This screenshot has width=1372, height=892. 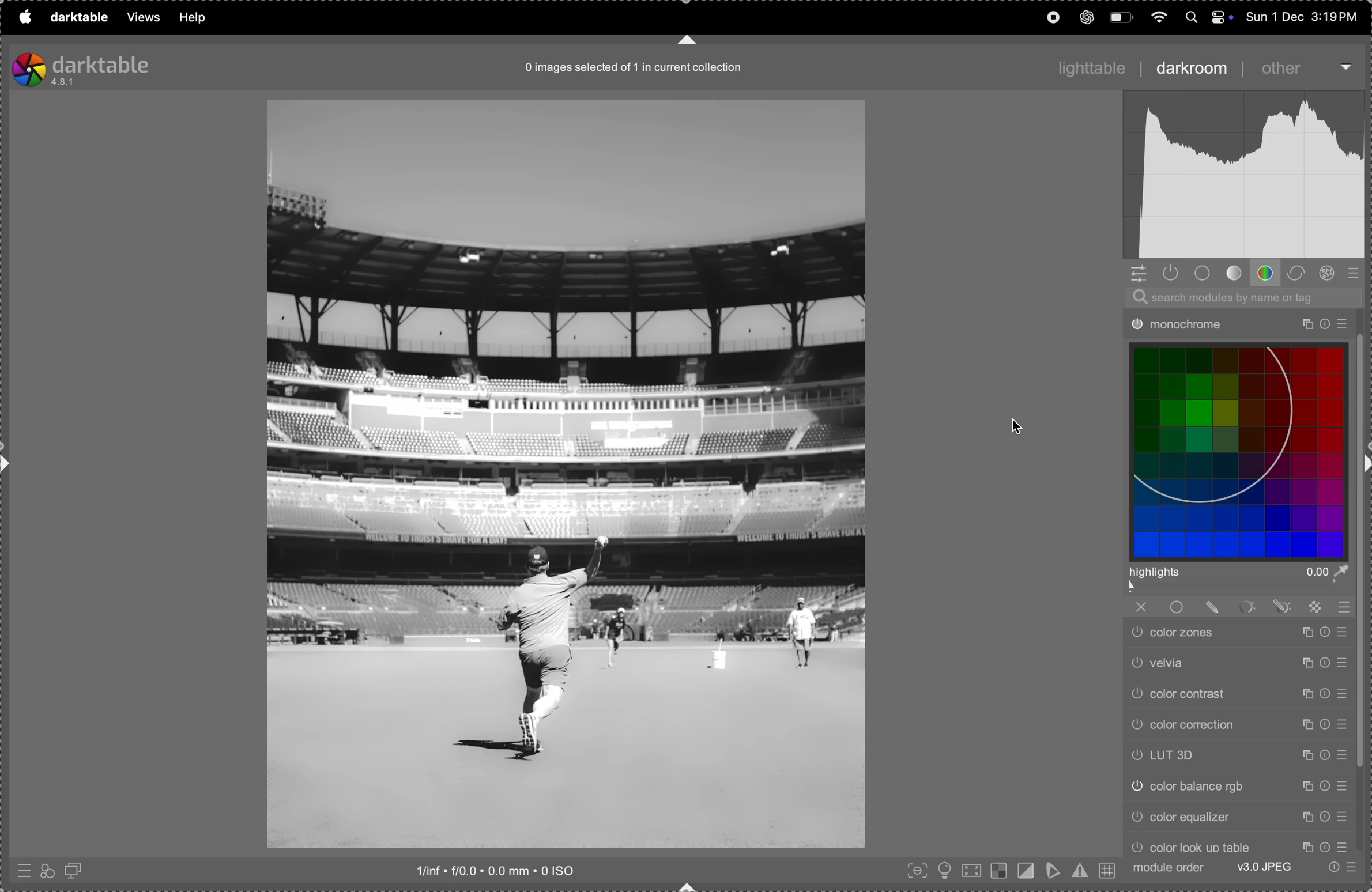 I want to click on color zones, so click(x=1237, y=635).